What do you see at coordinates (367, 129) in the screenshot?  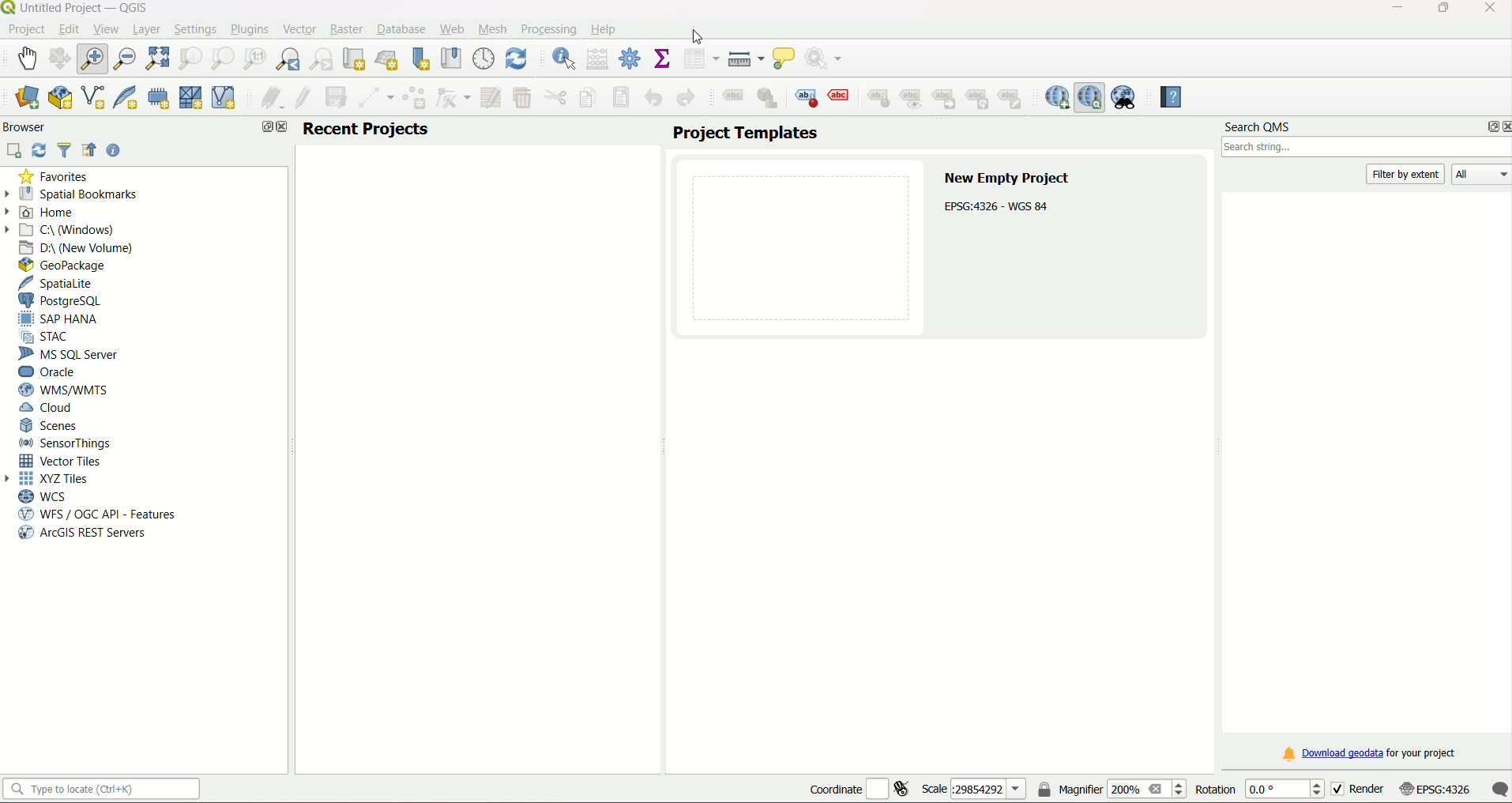 I see `recent projects` at bounding box center [367, 129].